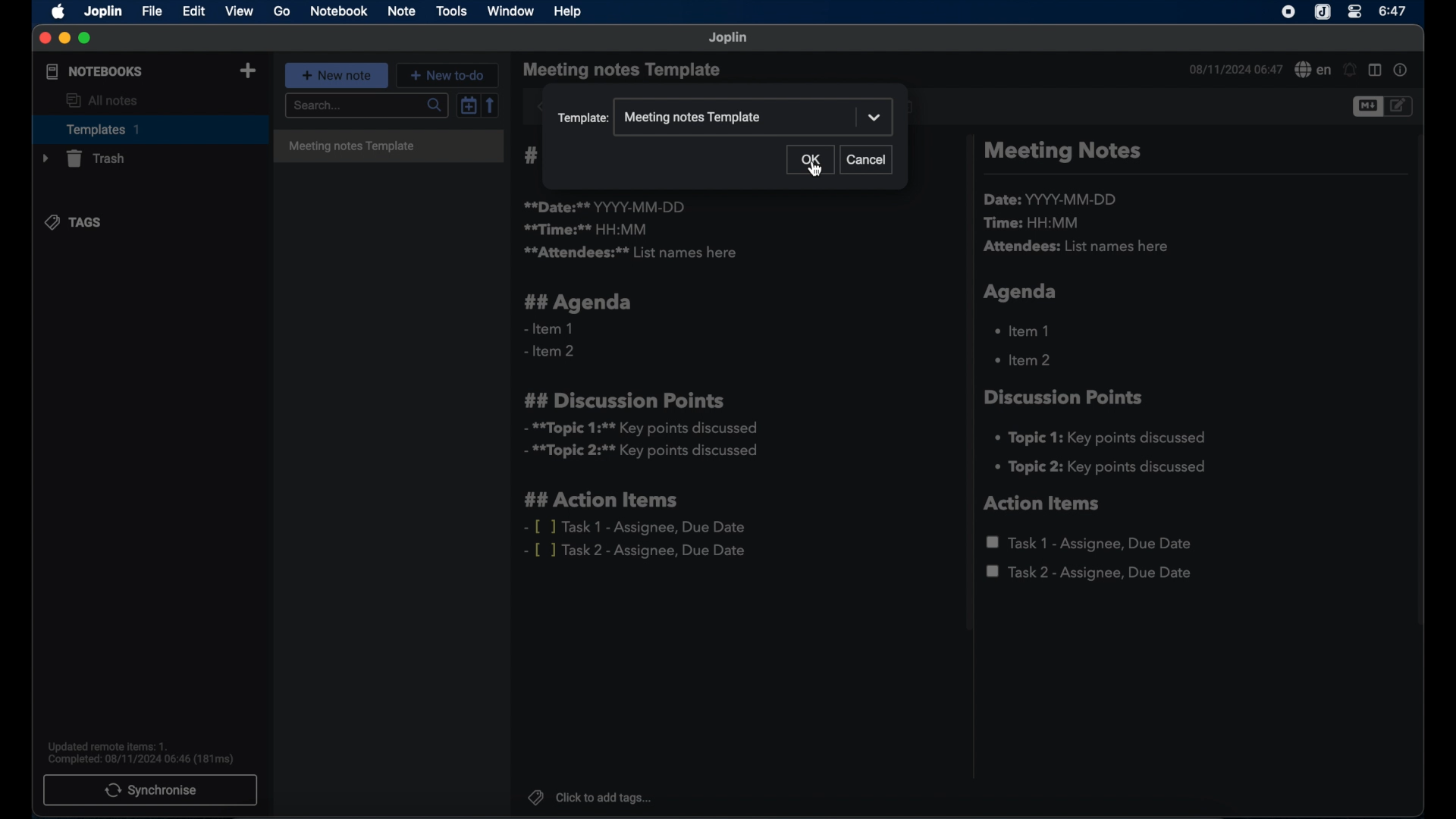  Describe the element at coordinates (1349, 70) in the screenshot. I see `set alarm` at that location.